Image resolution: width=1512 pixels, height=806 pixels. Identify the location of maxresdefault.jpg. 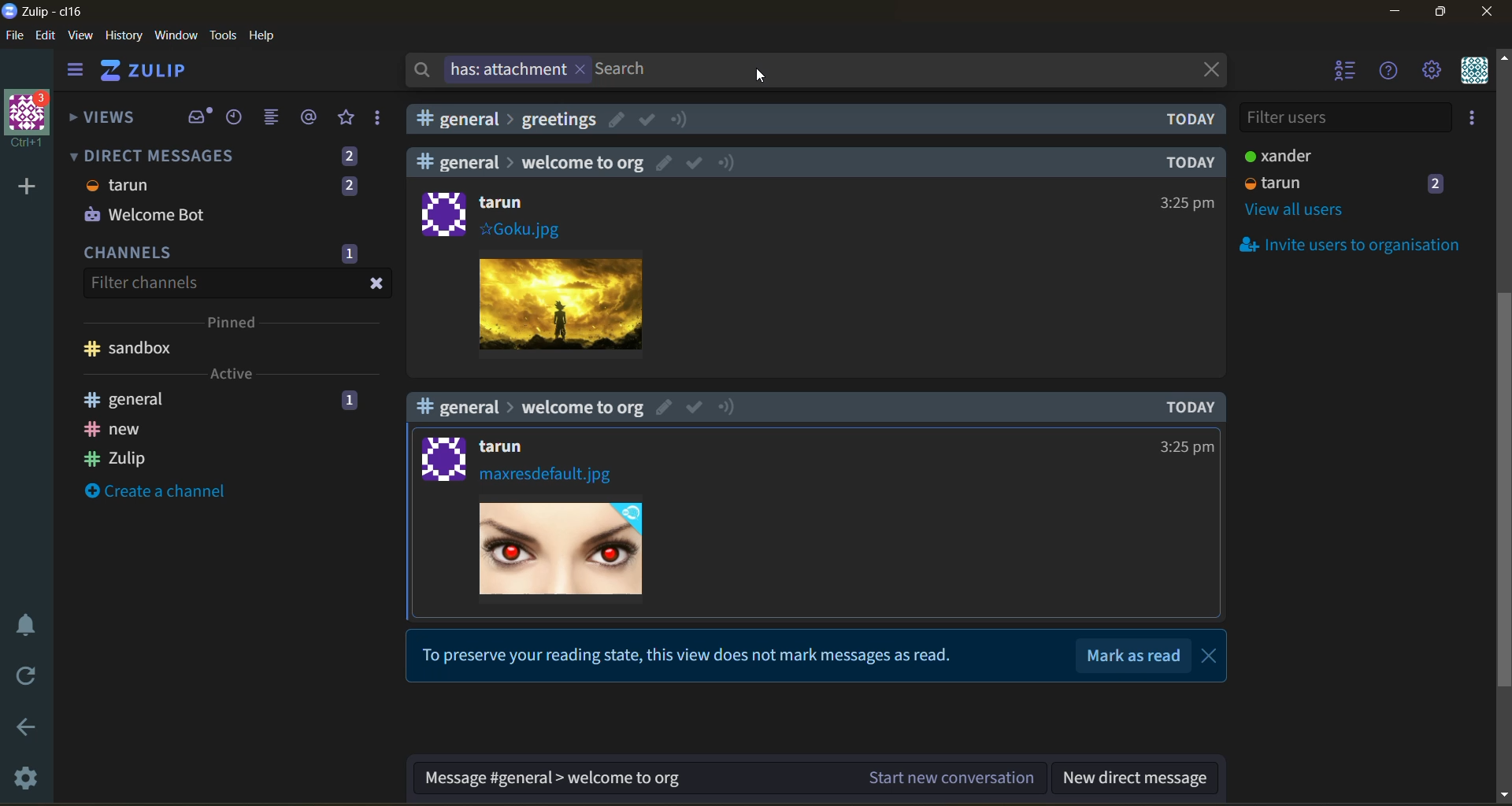
(547, 476).